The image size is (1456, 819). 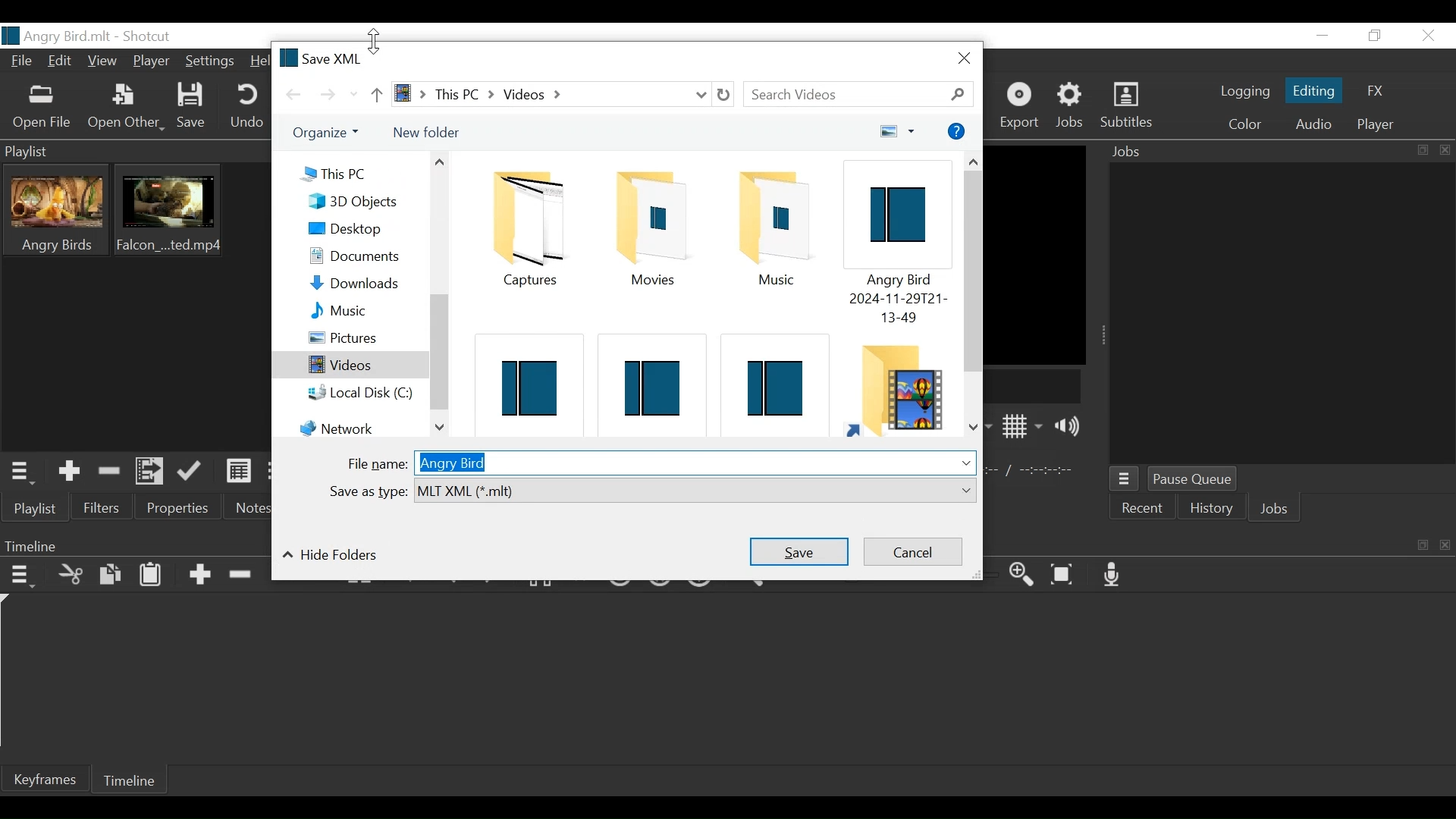 I want to click on Color, so click(x=1244, y=124).